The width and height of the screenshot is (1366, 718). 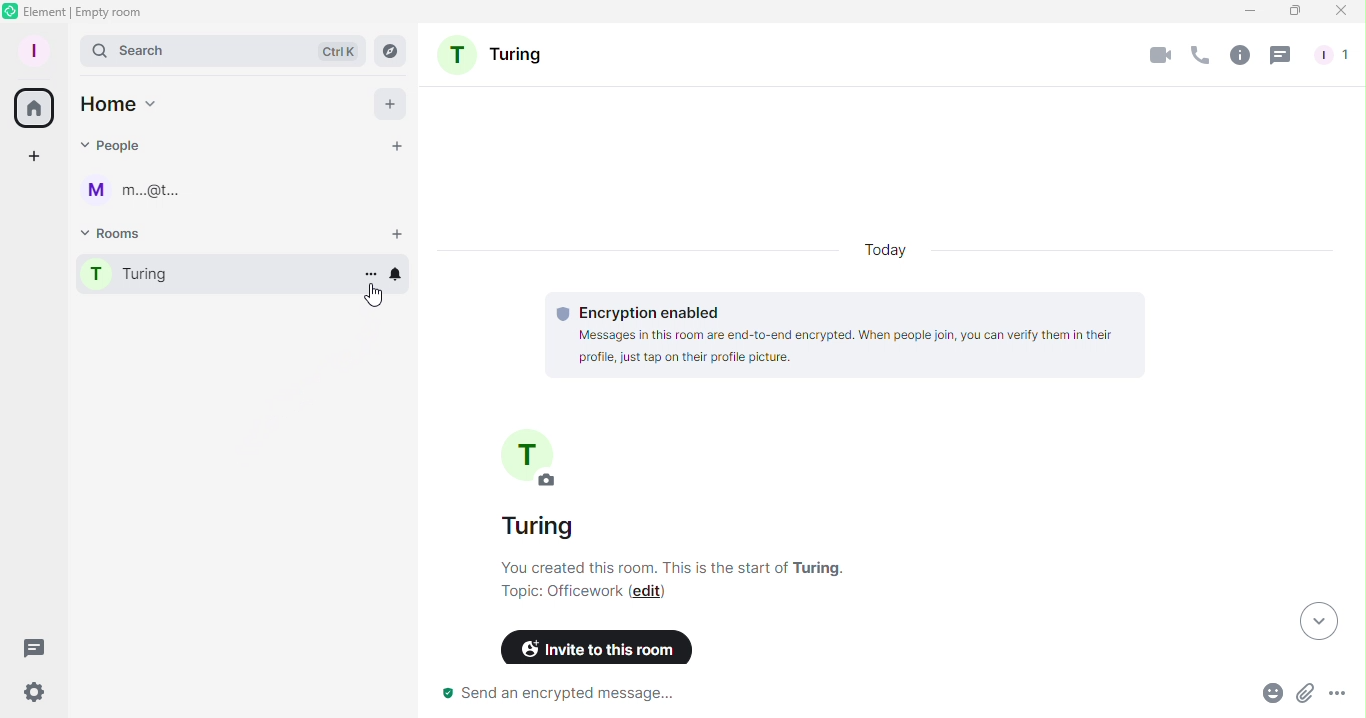 I want to click on Send an encrypted message, so click(x=605, y=696).